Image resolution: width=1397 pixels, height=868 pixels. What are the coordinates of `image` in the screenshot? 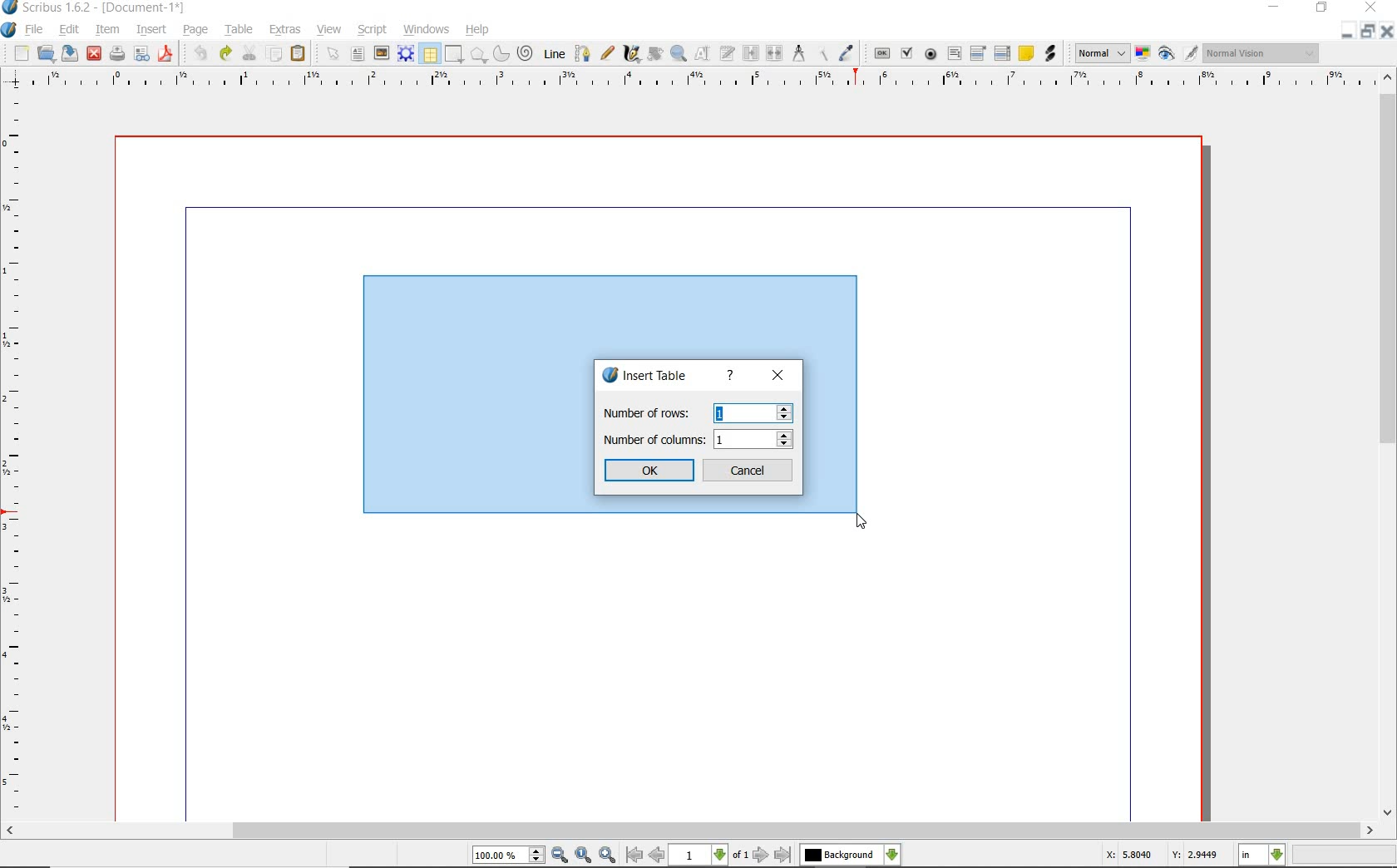 It's located at (382, 54).